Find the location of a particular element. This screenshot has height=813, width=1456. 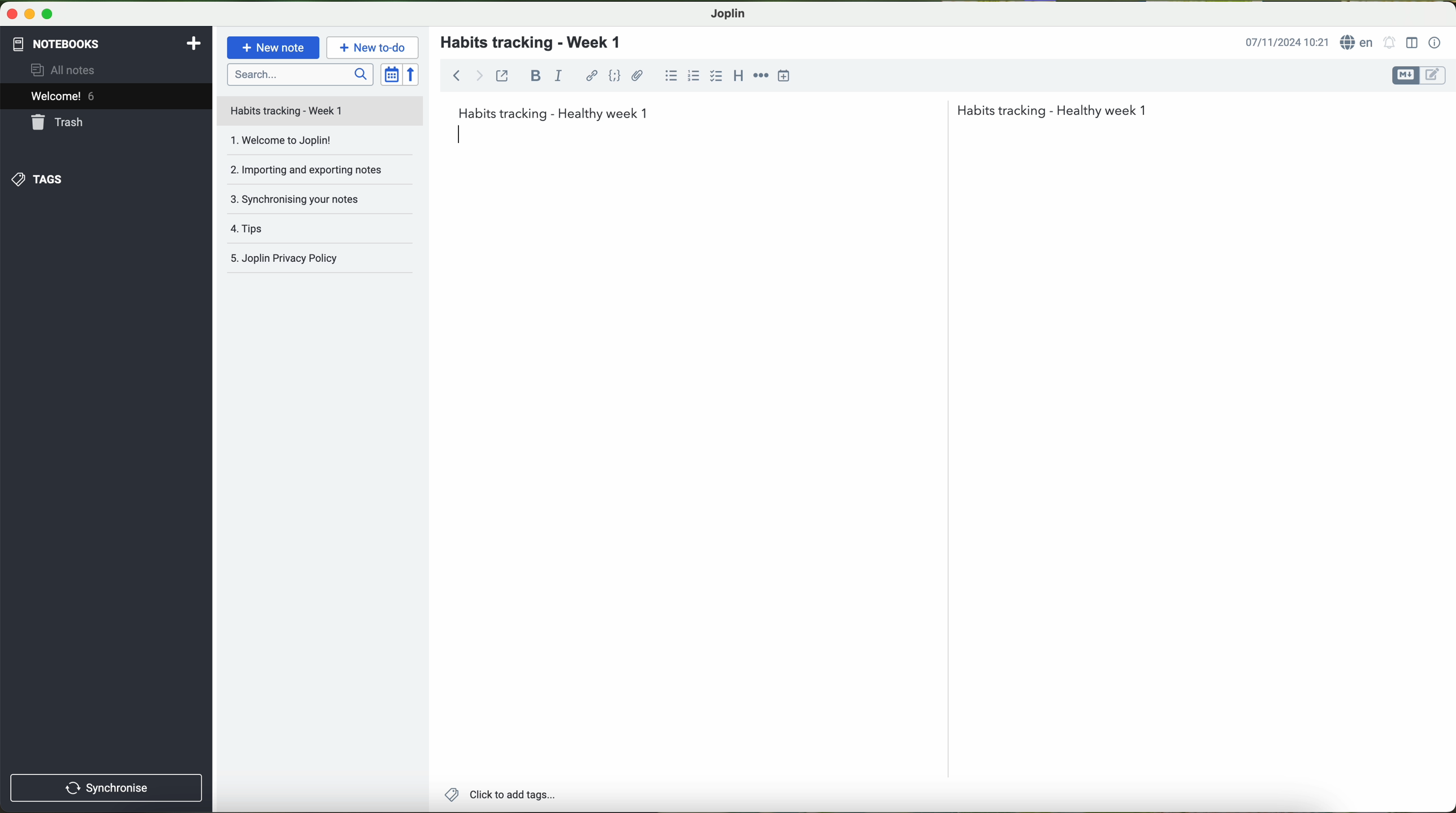

heading is located at coordinates (737, 75).